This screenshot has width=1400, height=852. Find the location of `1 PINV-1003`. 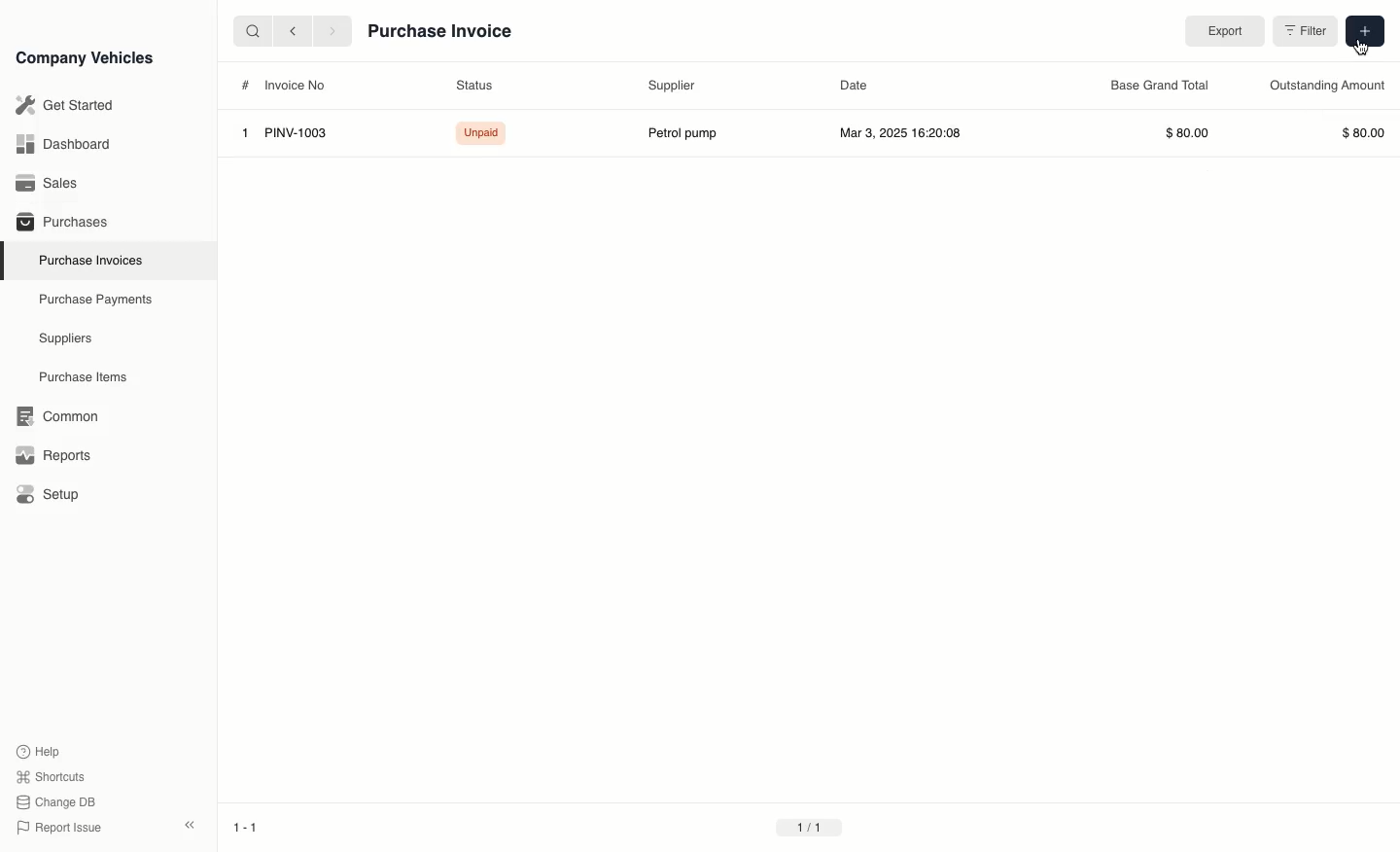

1 PINV-1003 is located at coordinates (278, 133).